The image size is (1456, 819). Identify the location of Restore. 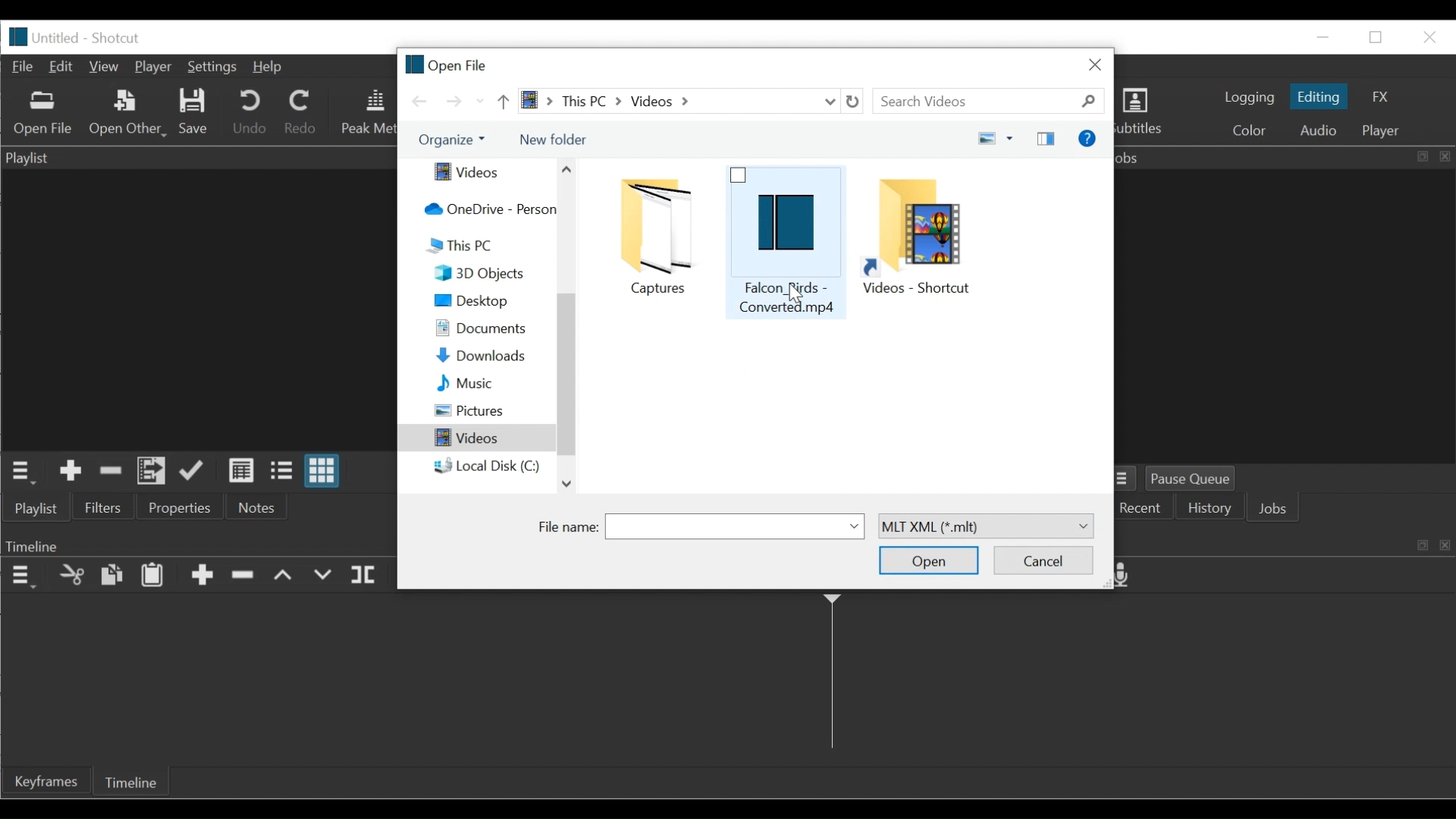
(1377, 38).